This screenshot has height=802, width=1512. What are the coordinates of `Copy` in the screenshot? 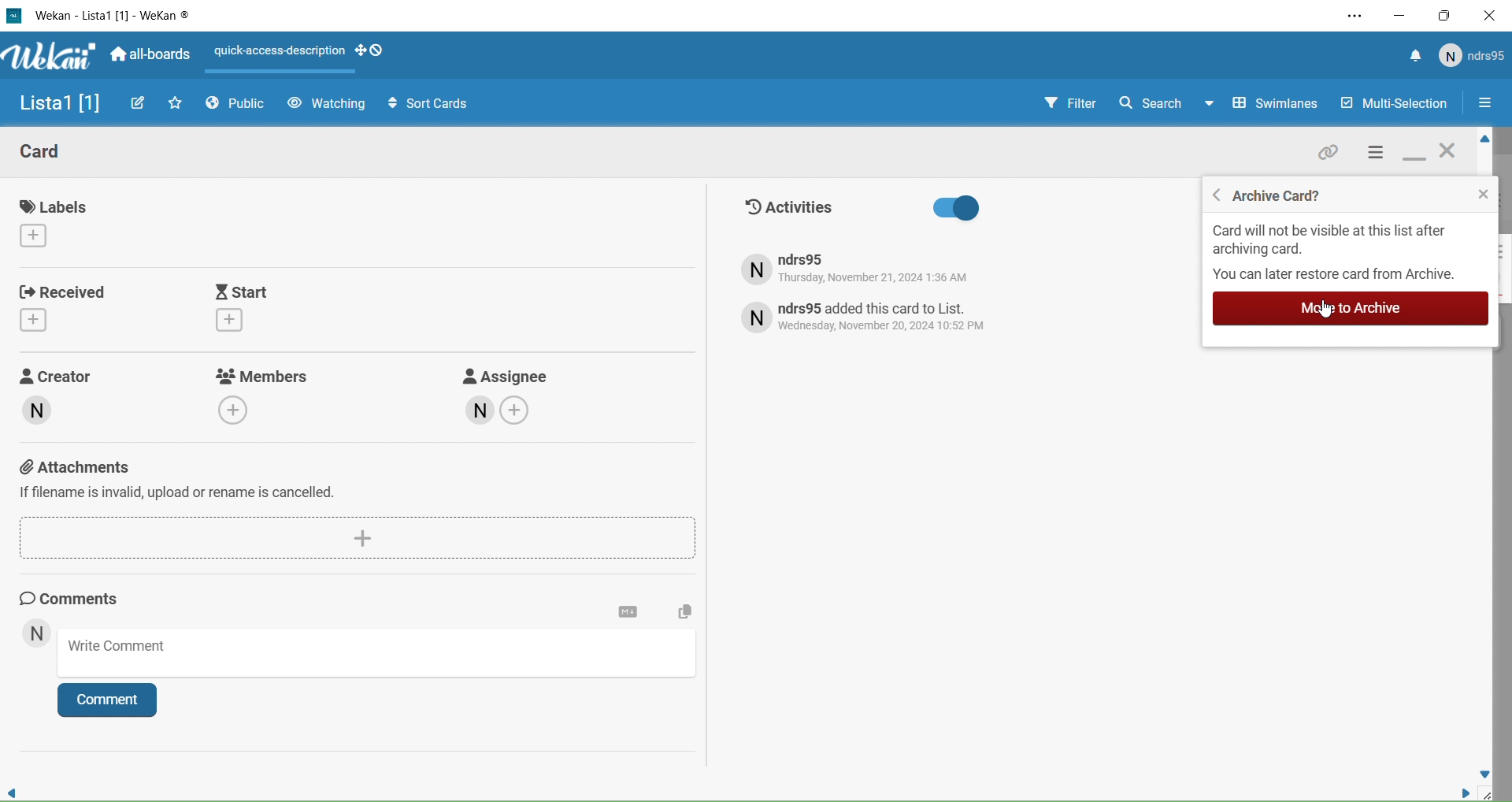 It's located at (682, 603).